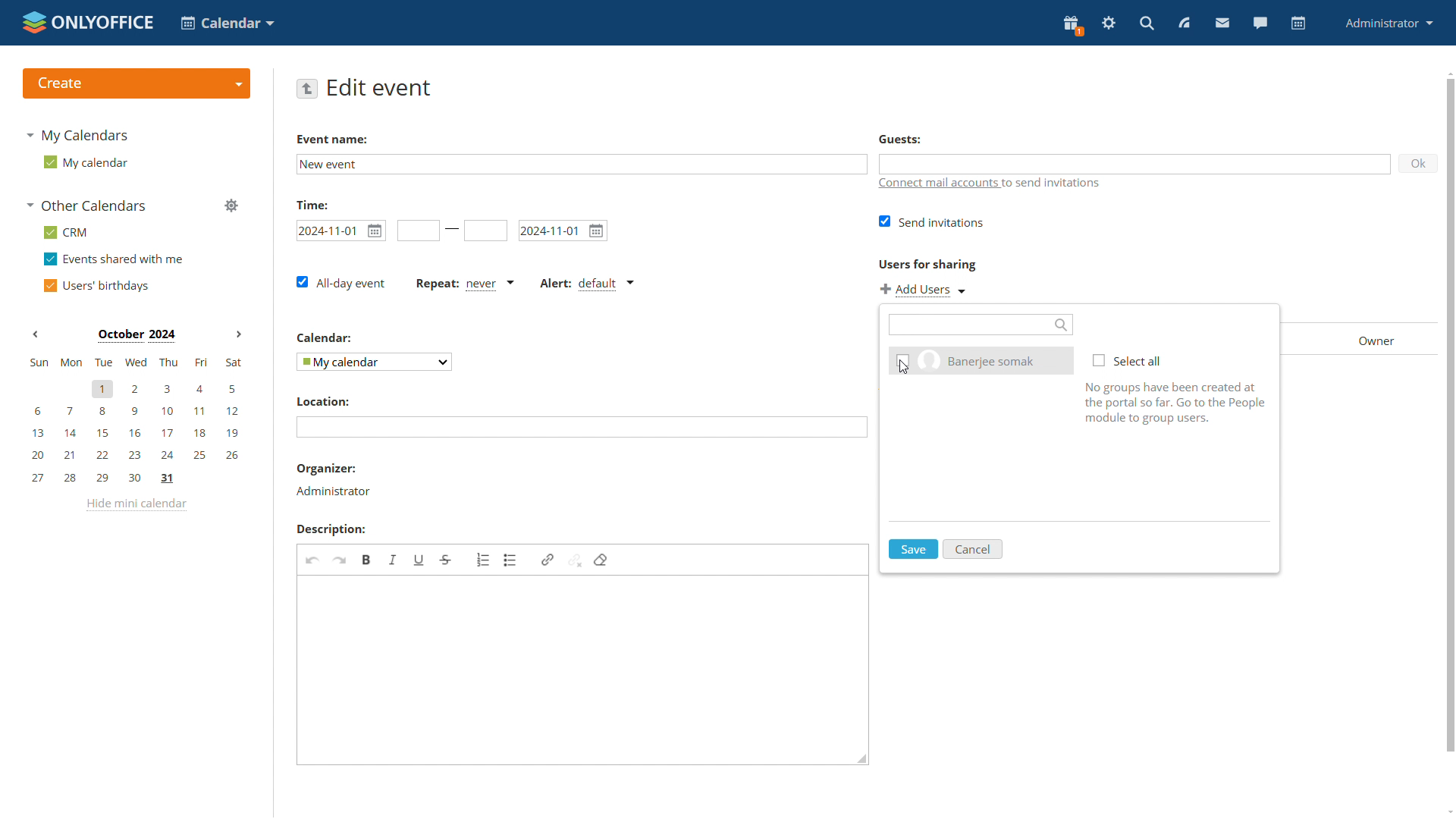 Image resolution: width=1456 pixels, height=819 pixels. What do you see at coordinates (339, 560) in the screenshot?
I see `redo` at bounding box center [339, 560].